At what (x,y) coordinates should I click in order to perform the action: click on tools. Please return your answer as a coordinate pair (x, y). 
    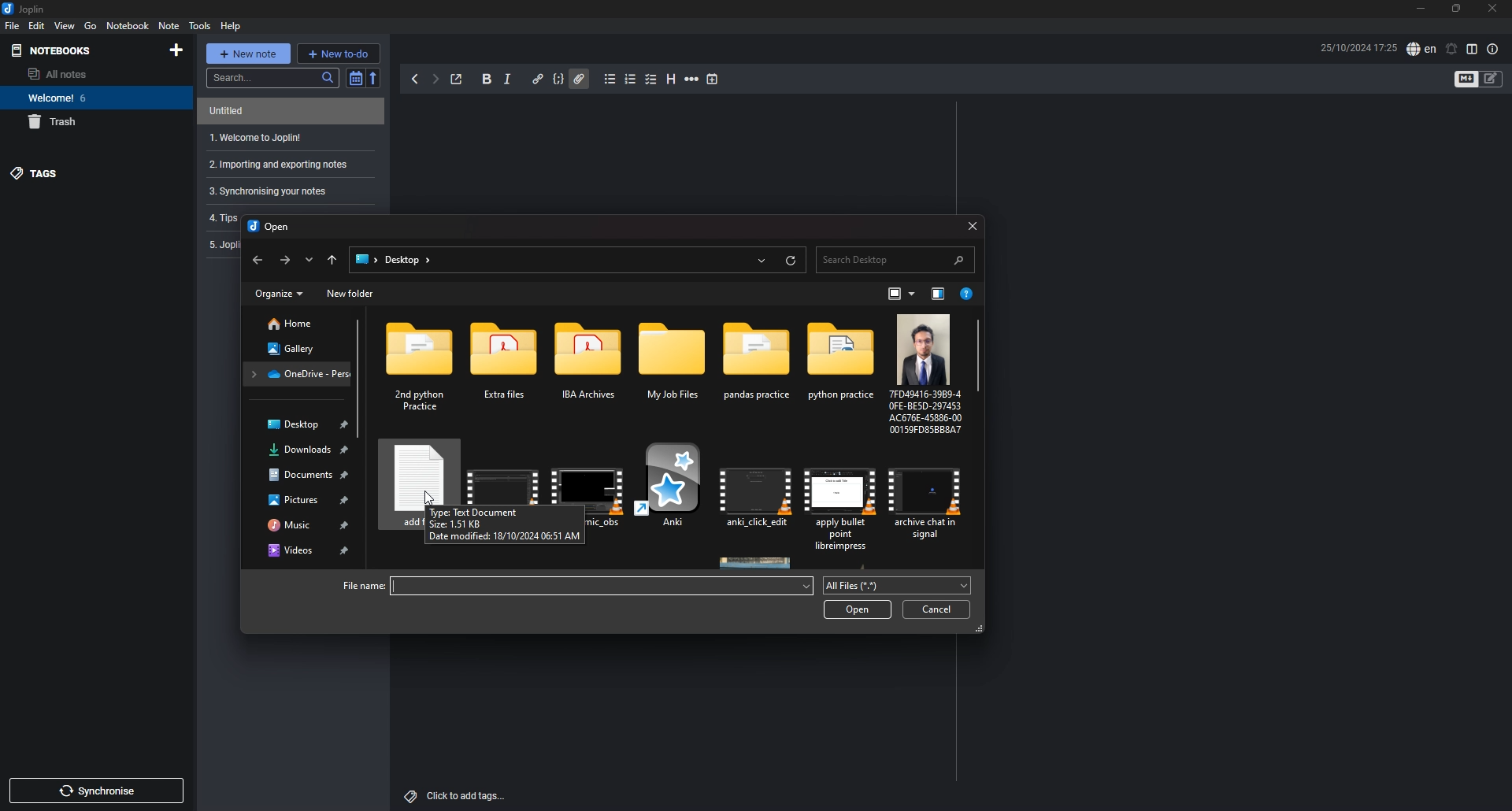
    Looking at the image, I should click on (200, 26).